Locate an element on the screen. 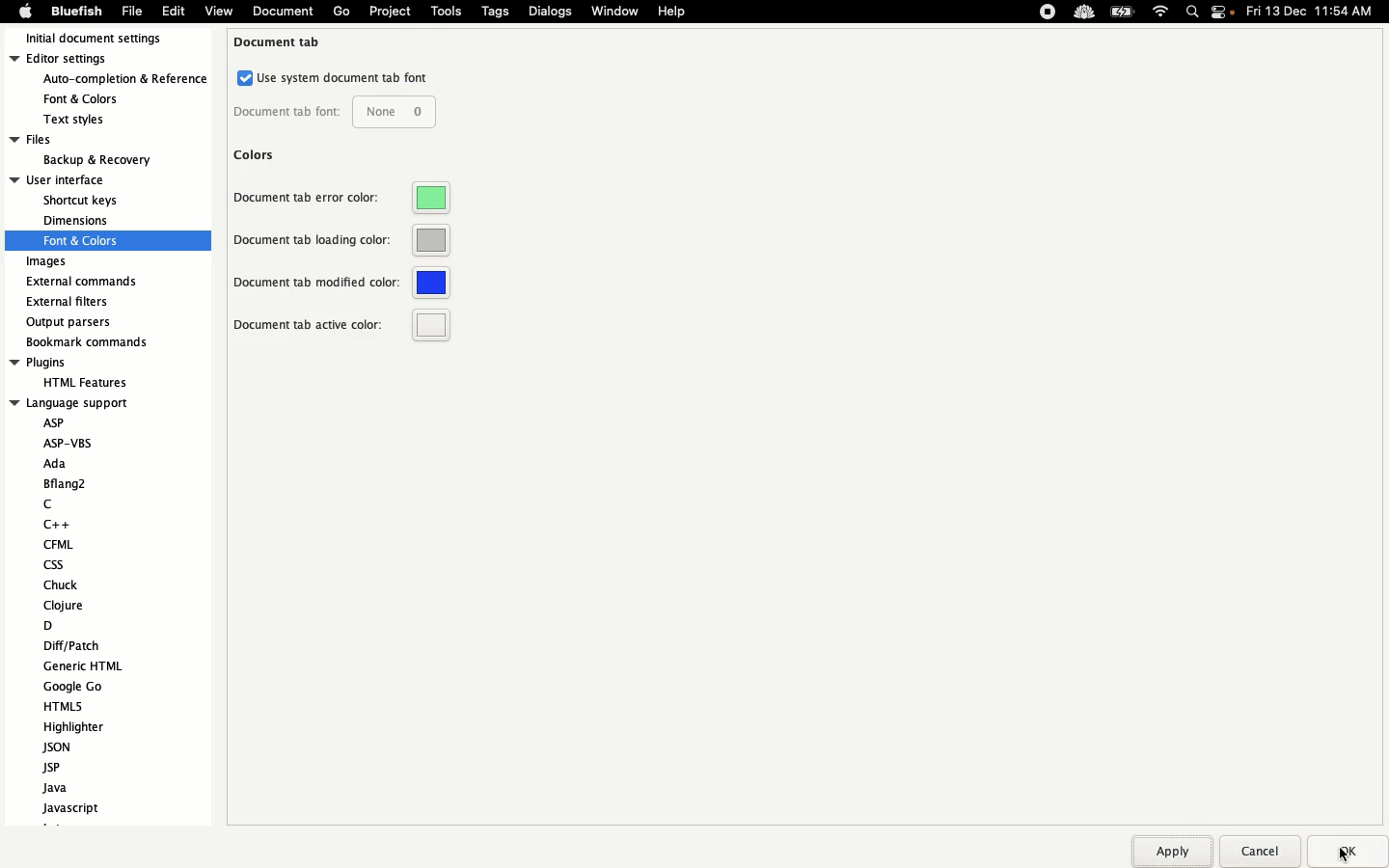  Edit is located at coordinates (174, 11).